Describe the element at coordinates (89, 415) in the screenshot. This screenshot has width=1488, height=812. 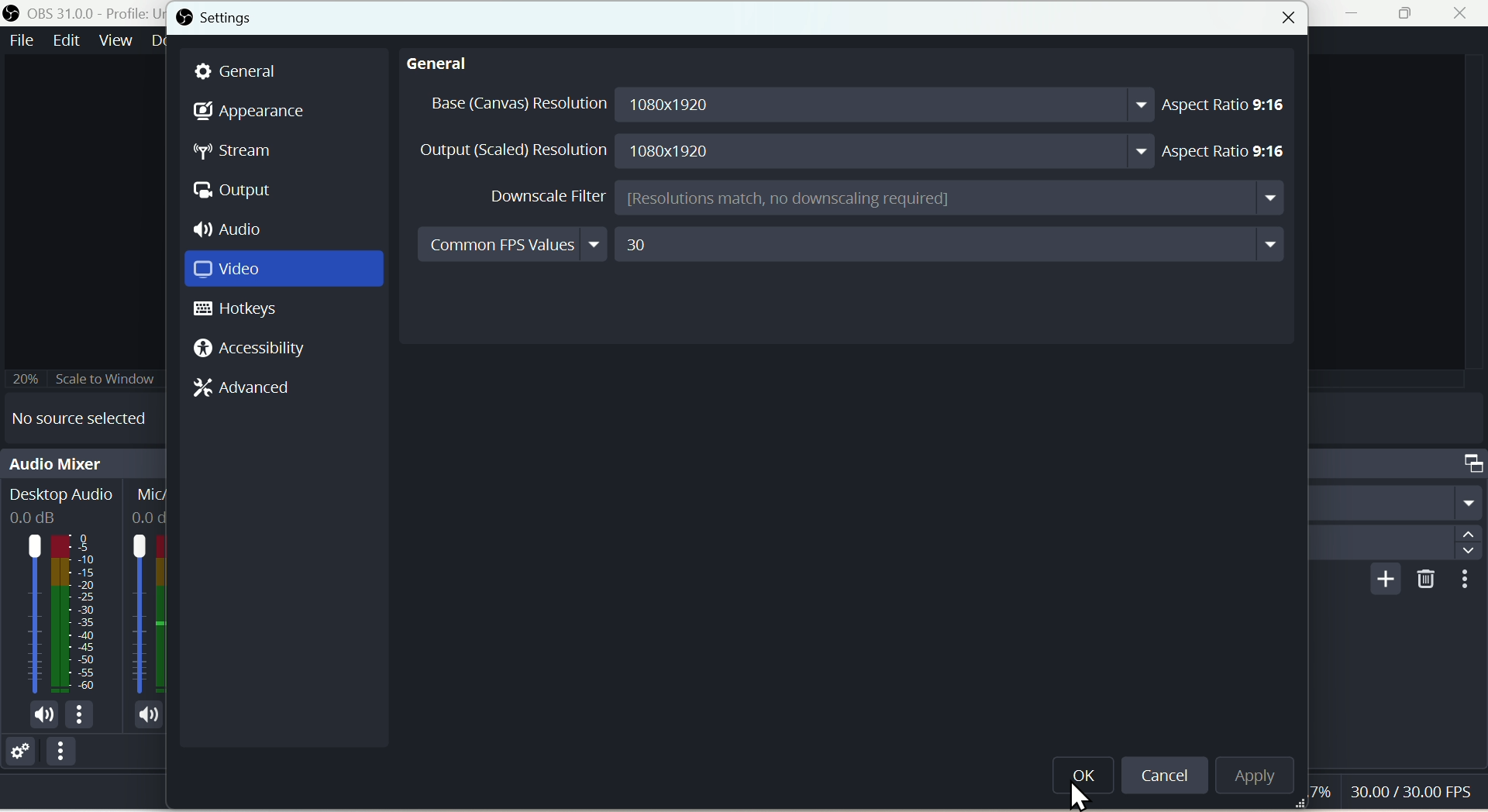
I see `No source selected` at that location.